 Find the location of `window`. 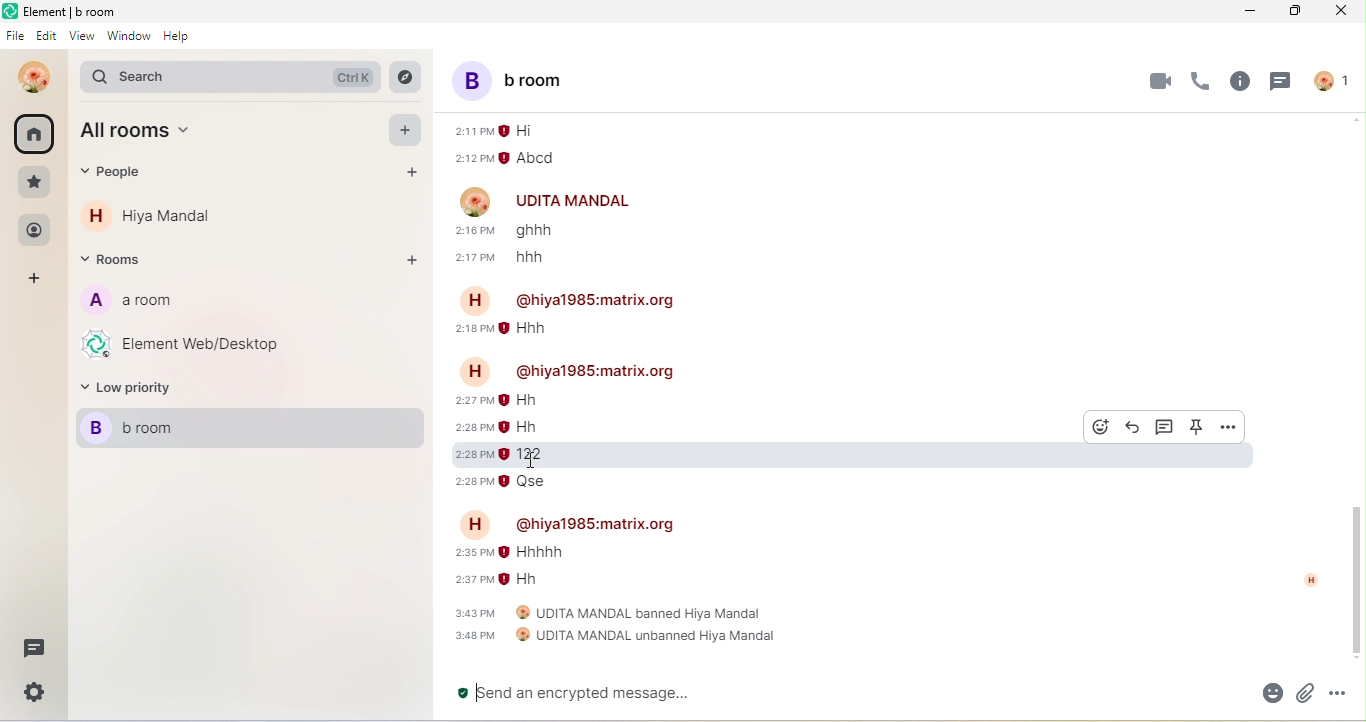

window is located at coordinates (128, 41).